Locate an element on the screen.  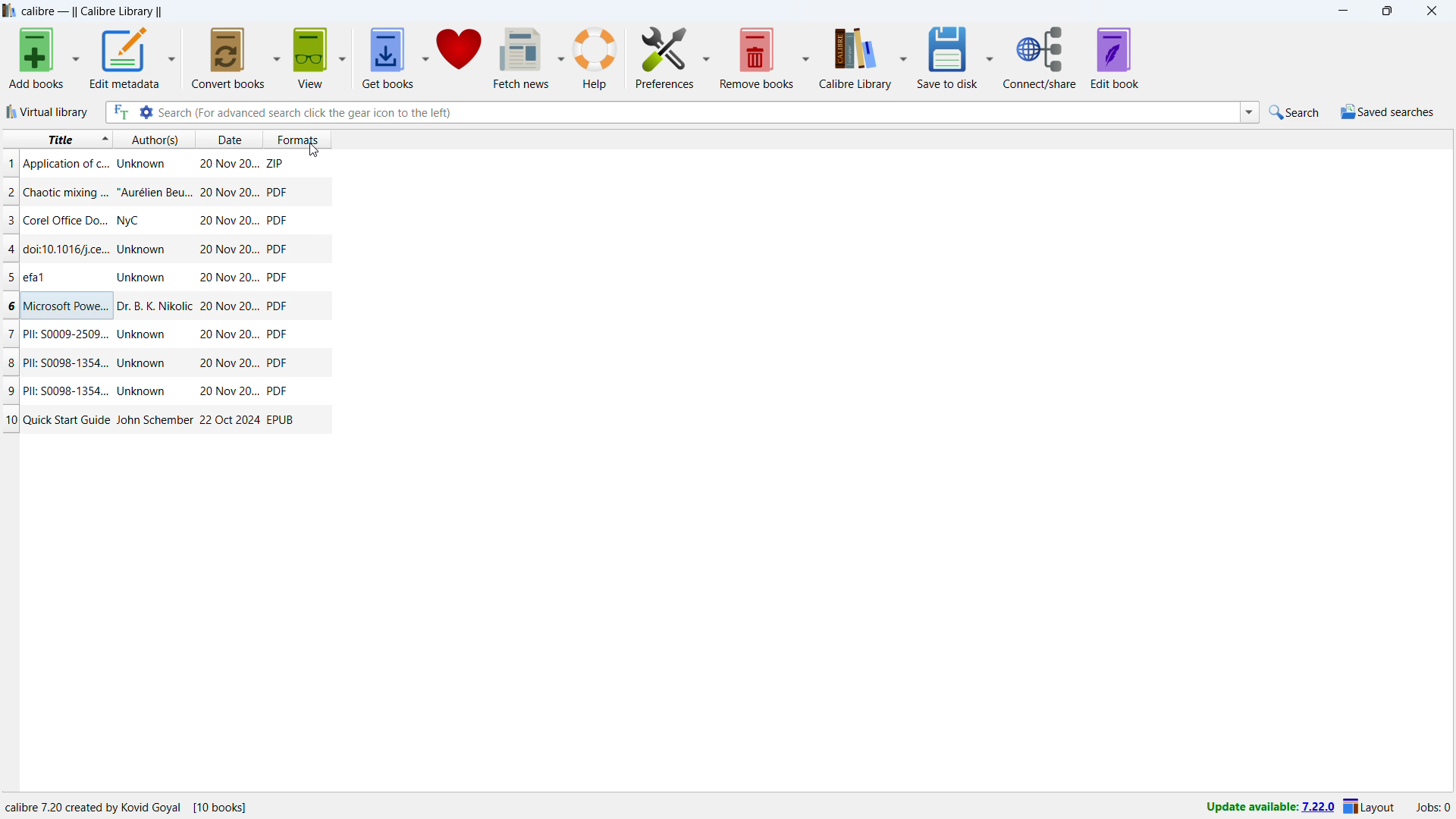
author is located at coordinates (143, 391).